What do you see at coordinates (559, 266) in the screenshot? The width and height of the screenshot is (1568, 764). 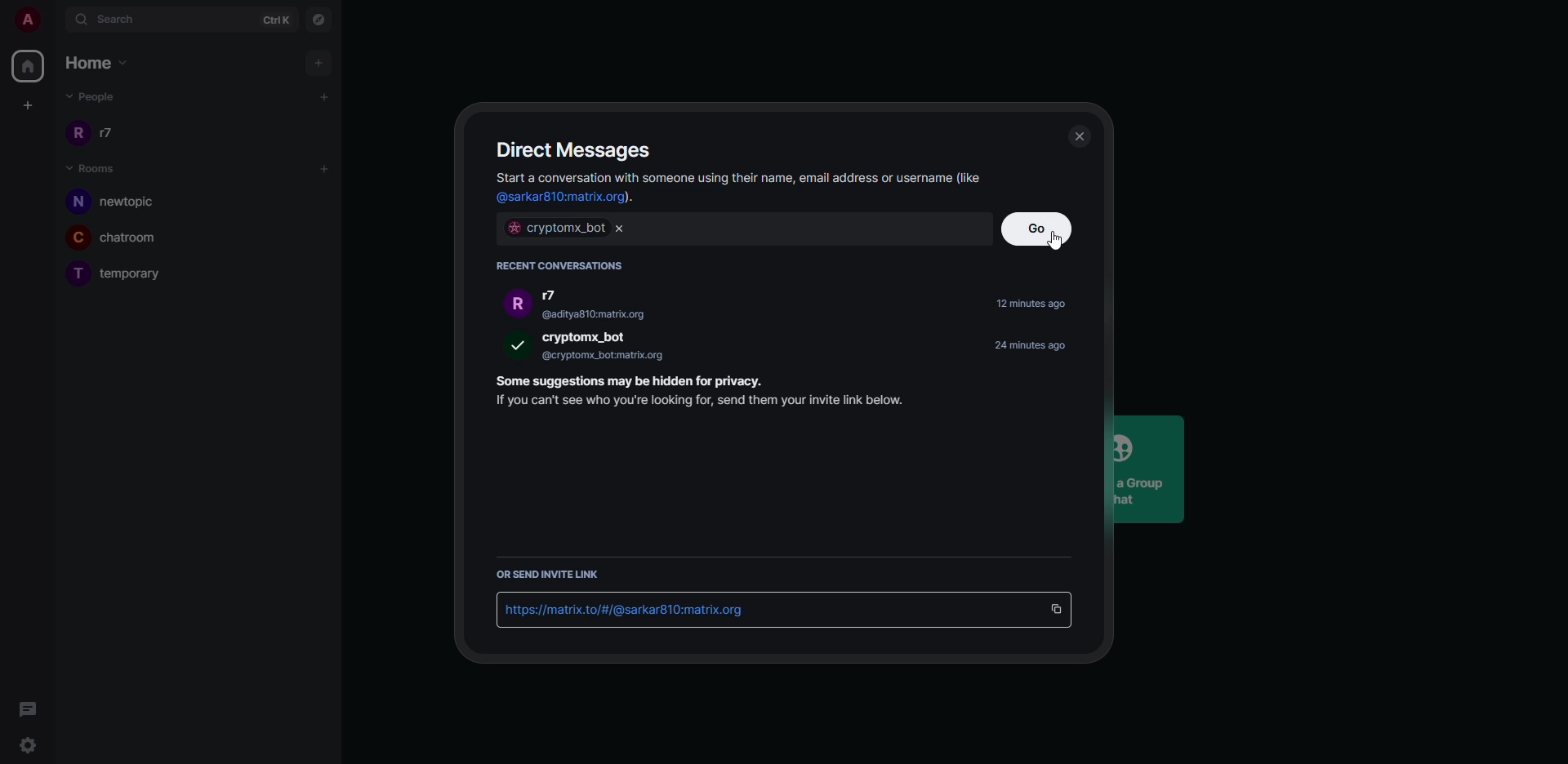 I see `recent` at bounding box center [559, 266].